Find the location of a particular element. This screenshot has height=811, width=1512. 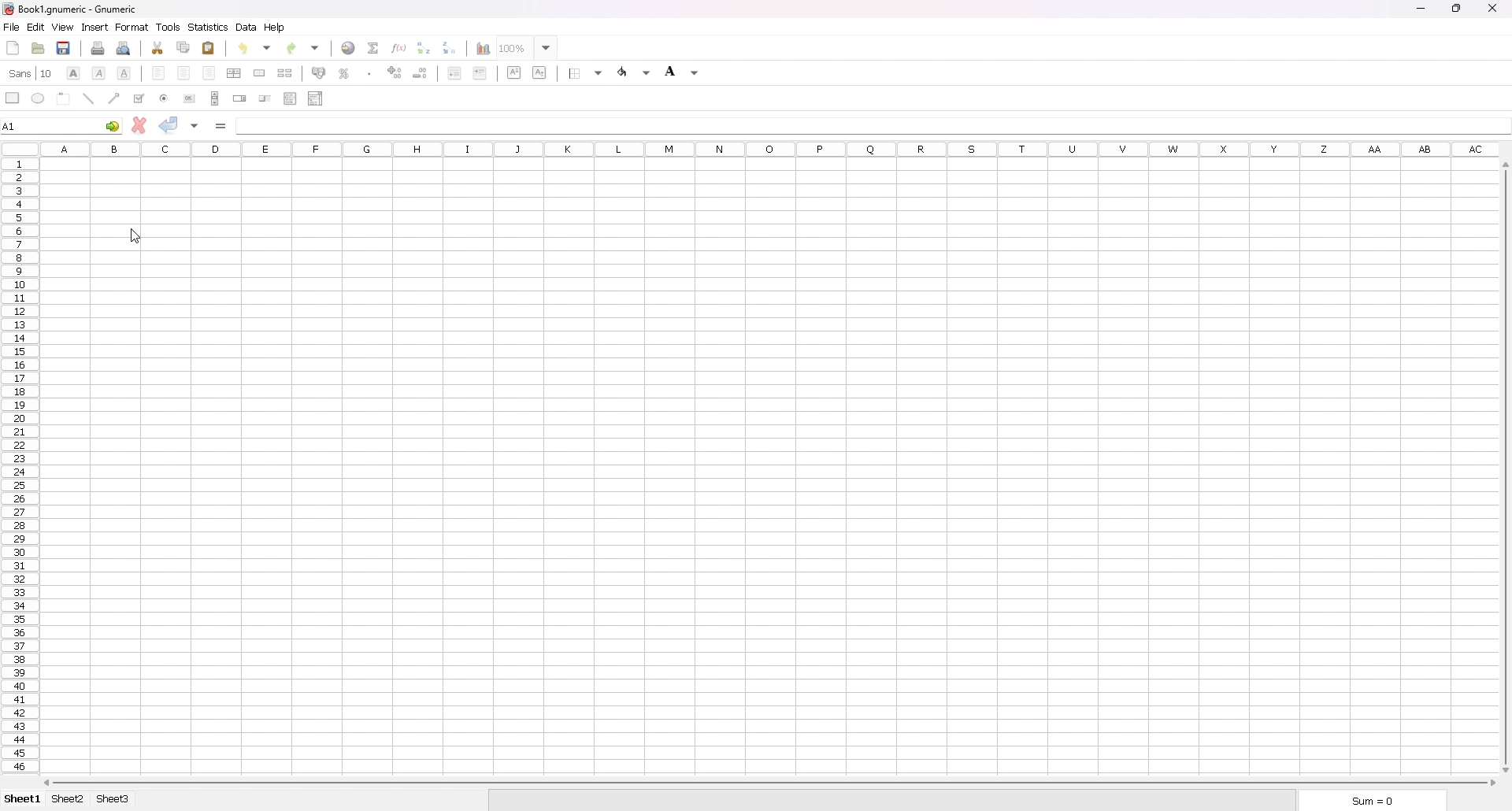

minimize is located at coordinates (1421, 9).